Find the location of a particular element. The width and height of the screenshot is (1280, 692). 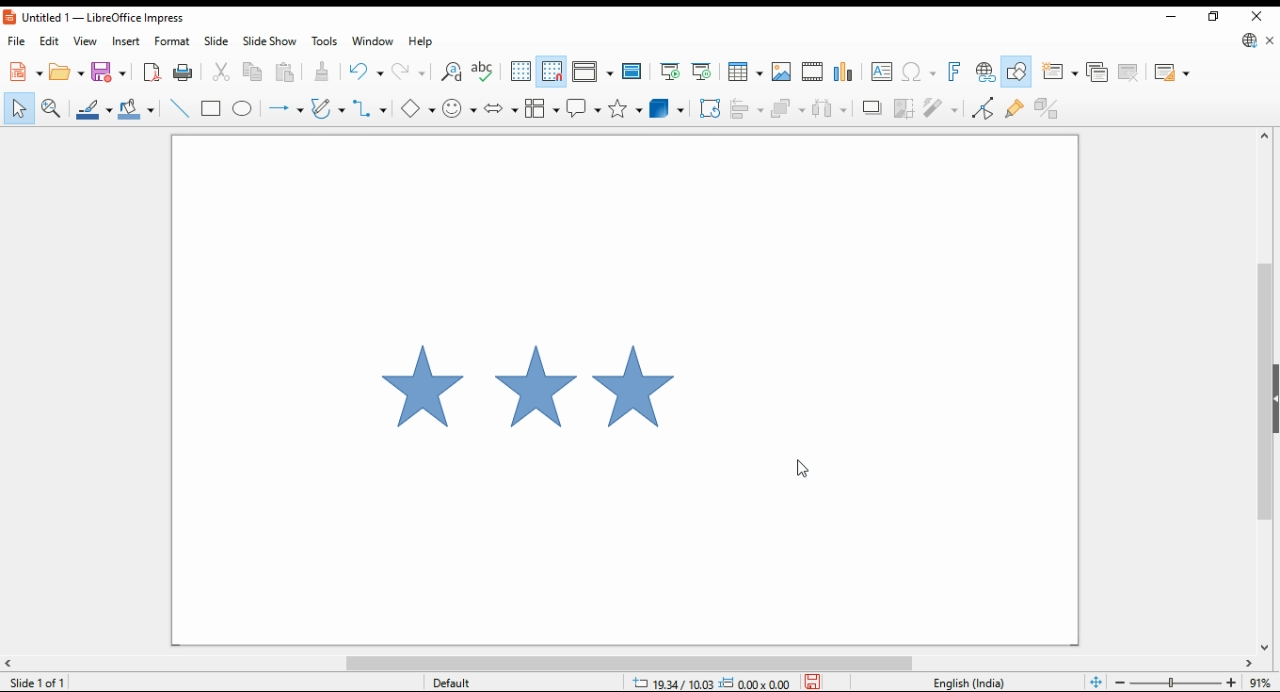

cut is located at coordinates (224, 71).